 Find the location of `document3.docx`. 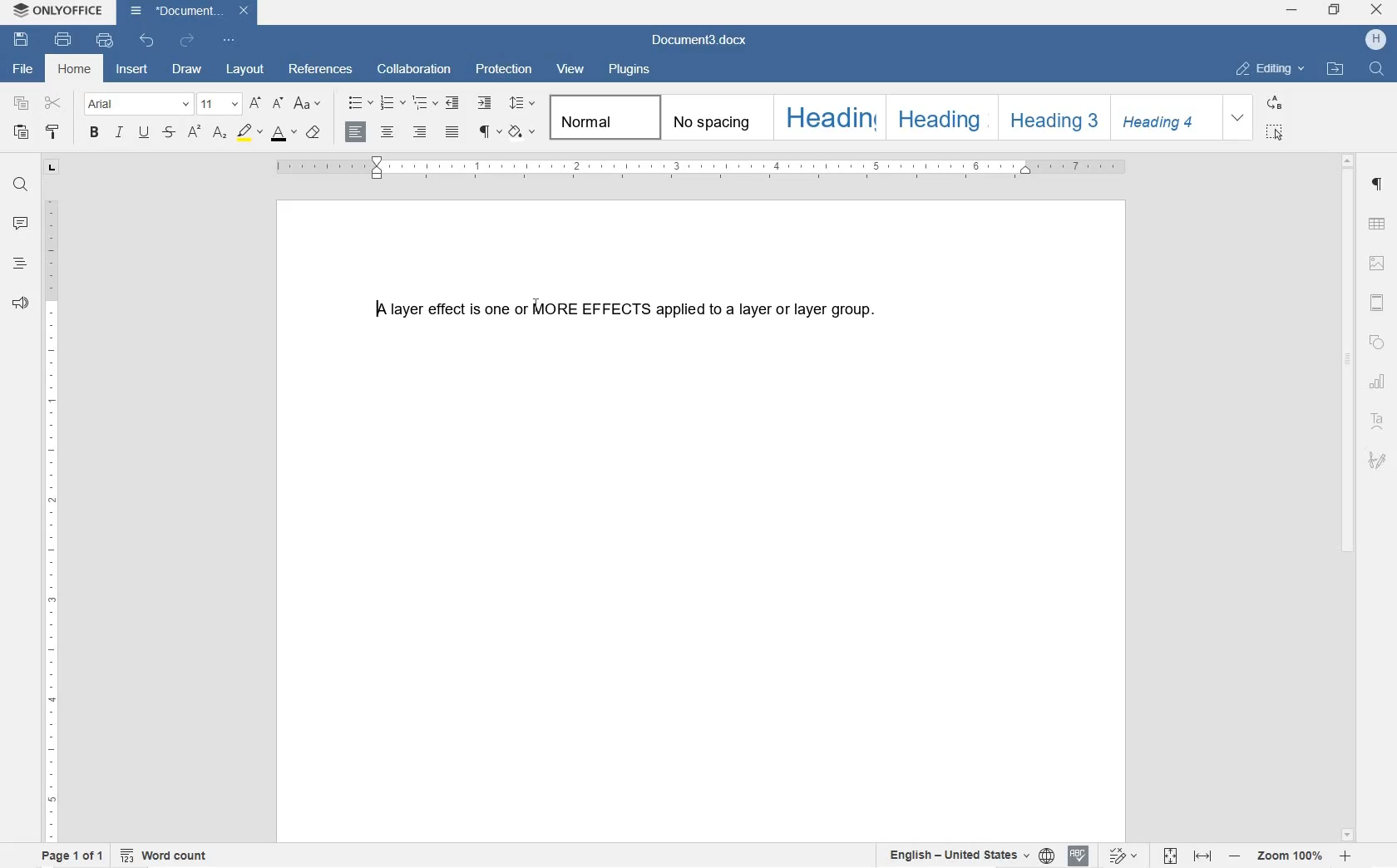

document3.docx is located at coordinates (703, 41).